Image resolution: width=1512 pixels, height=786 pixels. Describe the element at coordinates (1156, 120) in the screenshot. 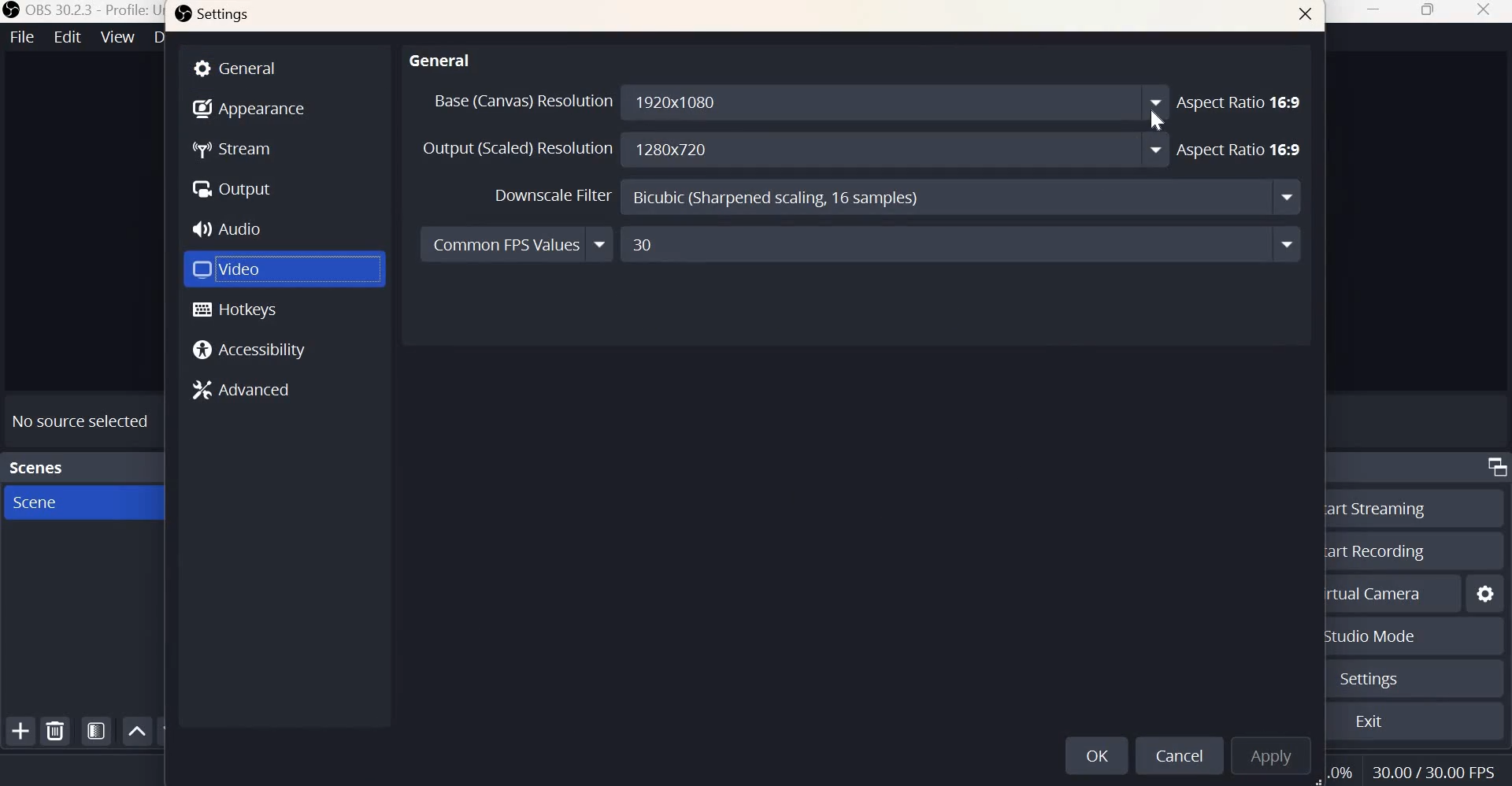

I see `cursor` at that location.